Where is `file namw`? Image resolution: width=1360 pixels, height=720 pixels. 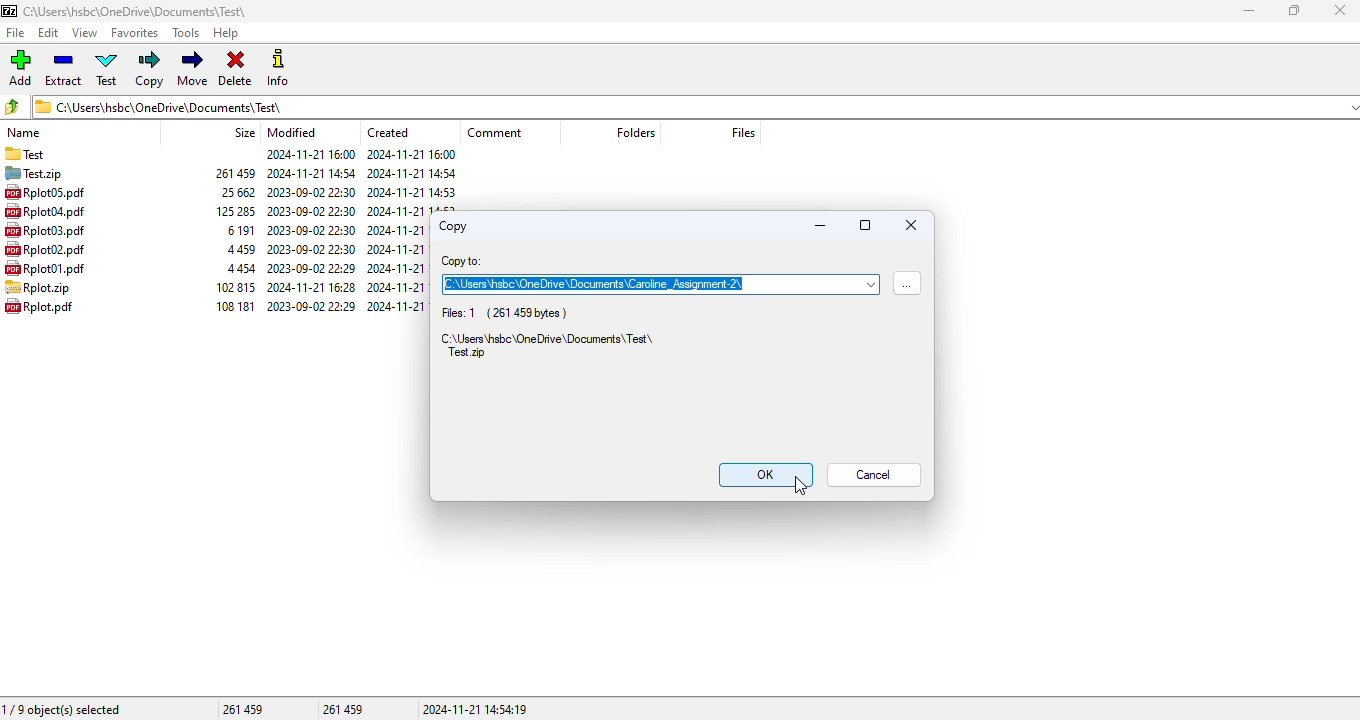 file namw is located at coordinates (44, 192).